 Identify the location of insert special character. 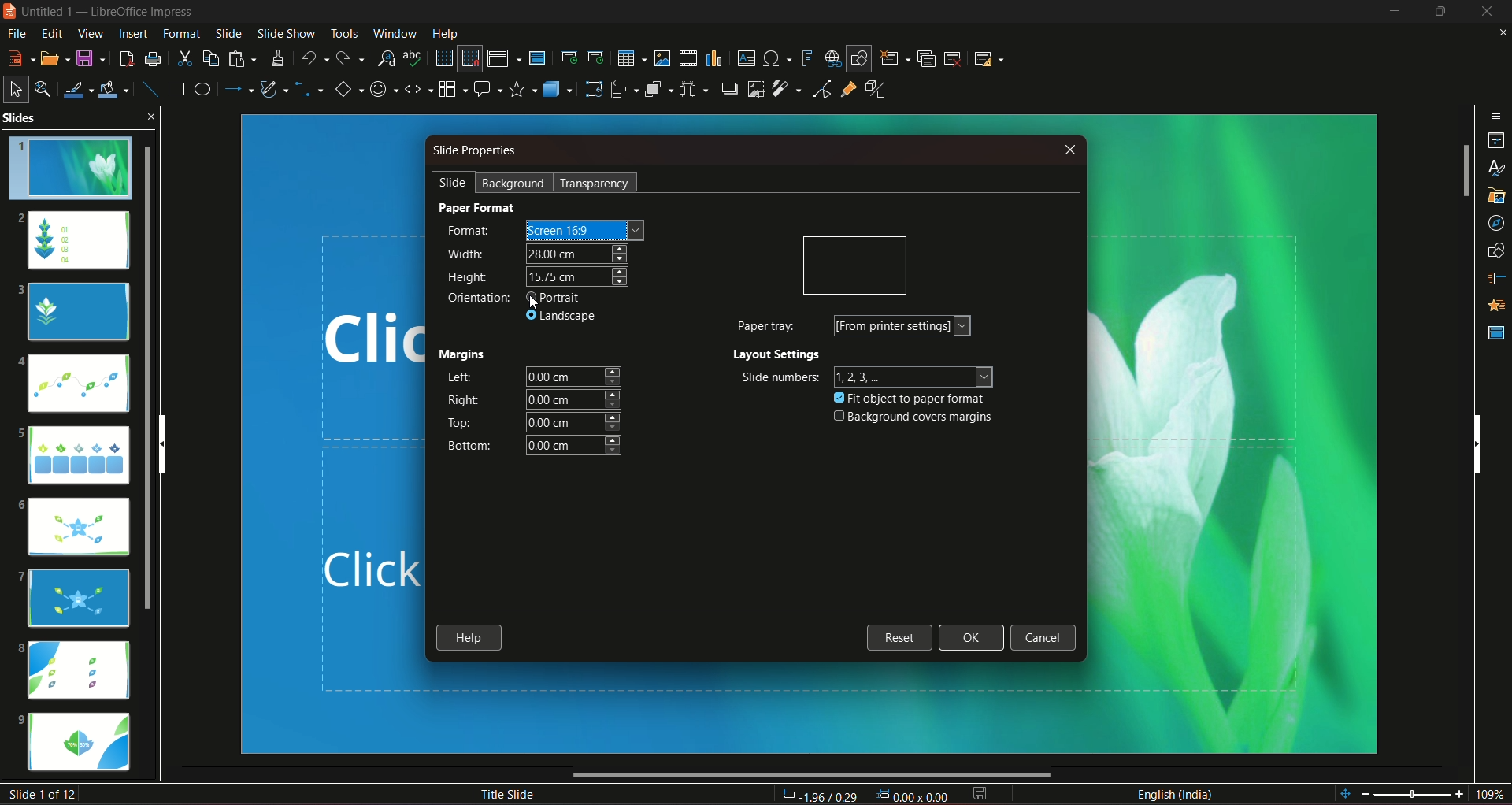
(776, 58).